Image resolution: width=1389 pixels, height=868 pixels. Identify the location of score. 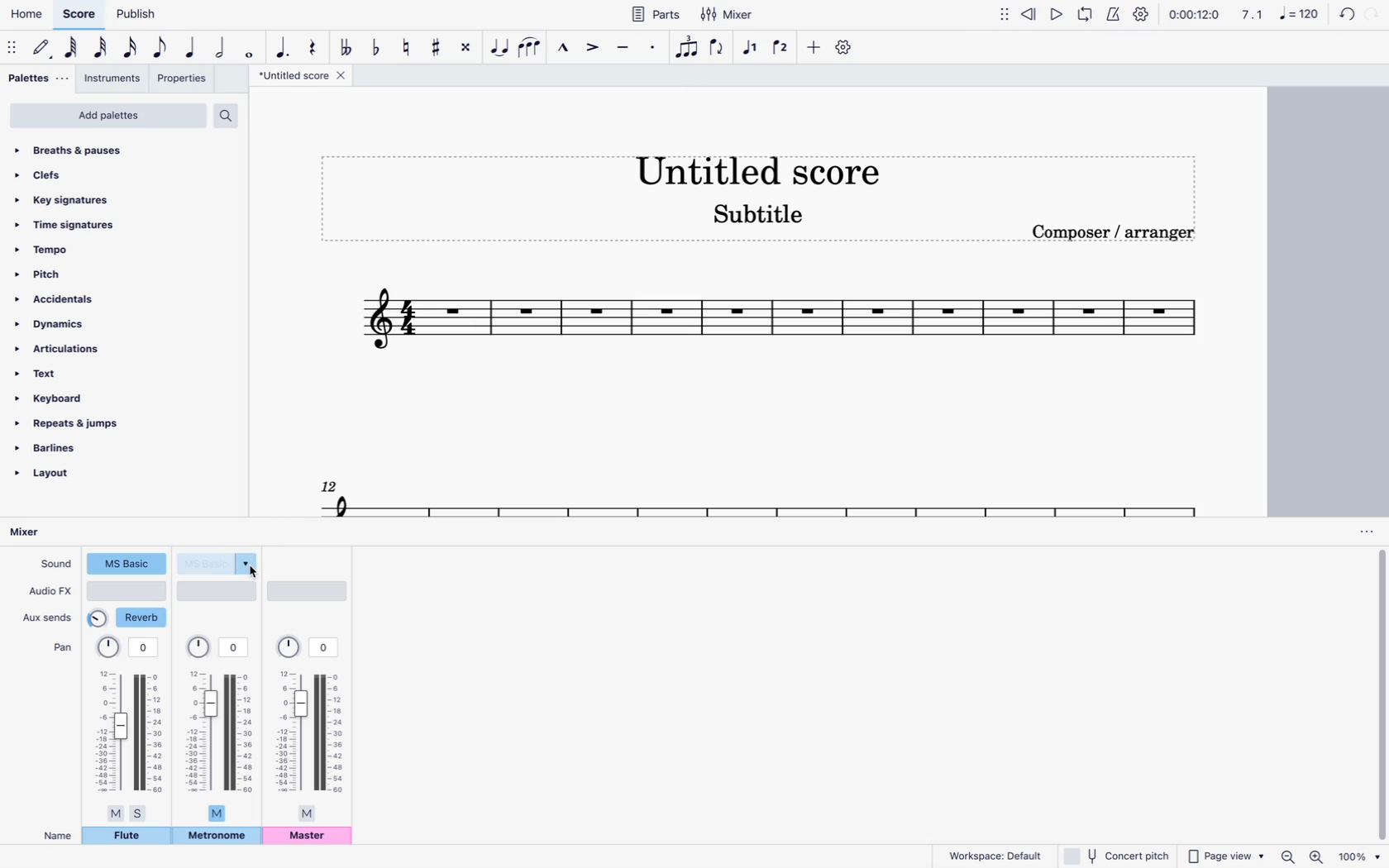
(779, 324).